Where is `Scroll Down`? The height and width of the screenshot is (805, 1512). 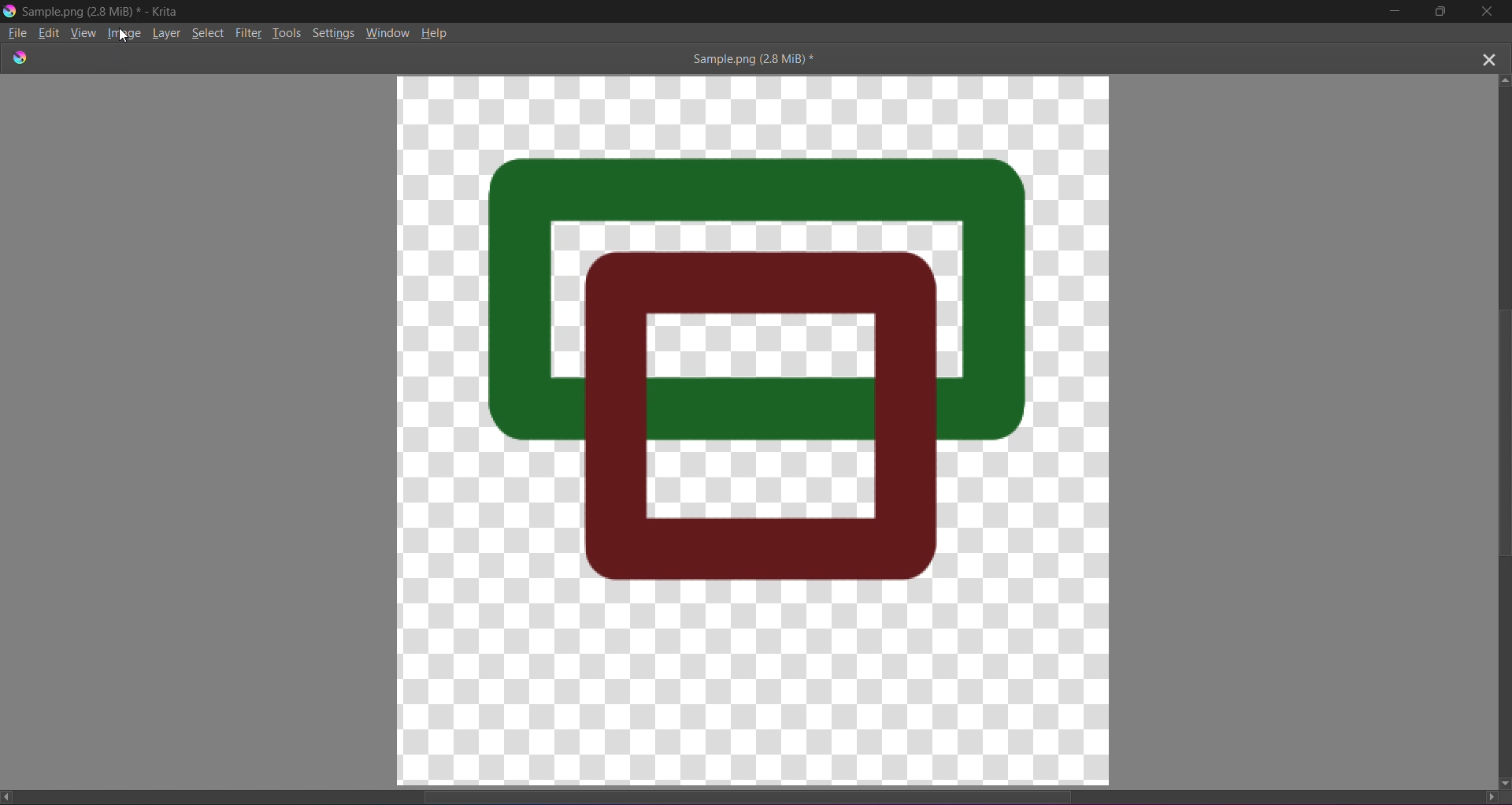
Scroll Down is located at coordinates (1503, 782).